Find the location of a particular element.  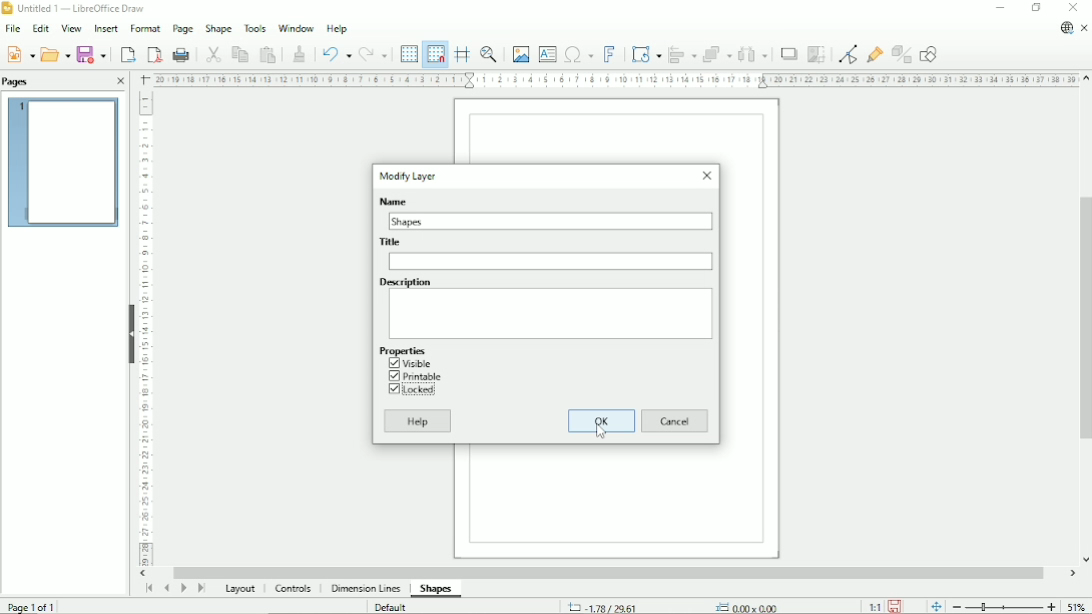

Zoom & pan is located at coordinates (487, 52).